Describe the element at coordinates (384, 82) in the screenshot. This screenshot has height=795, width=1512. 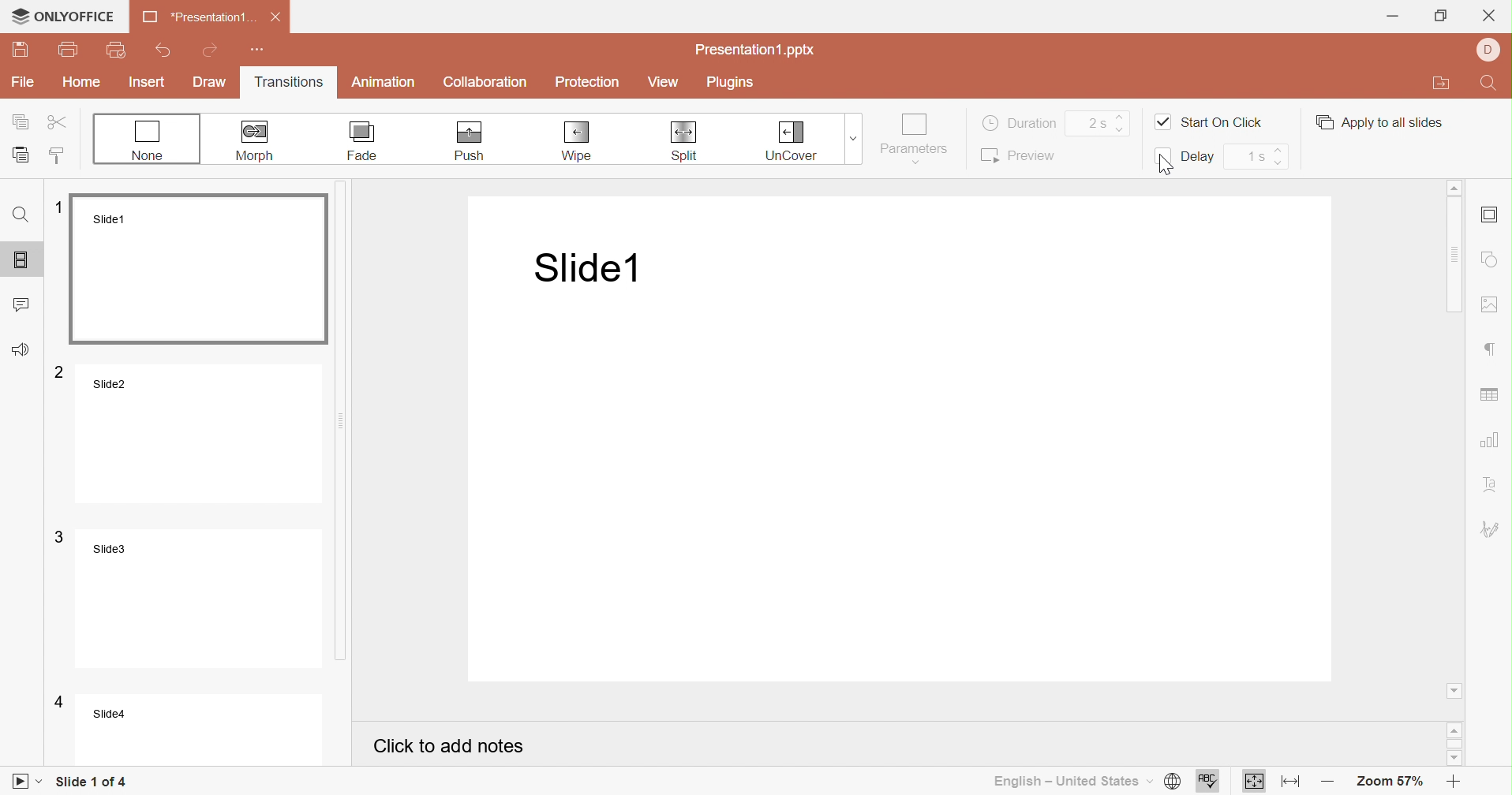
I see `Animation` at that location.